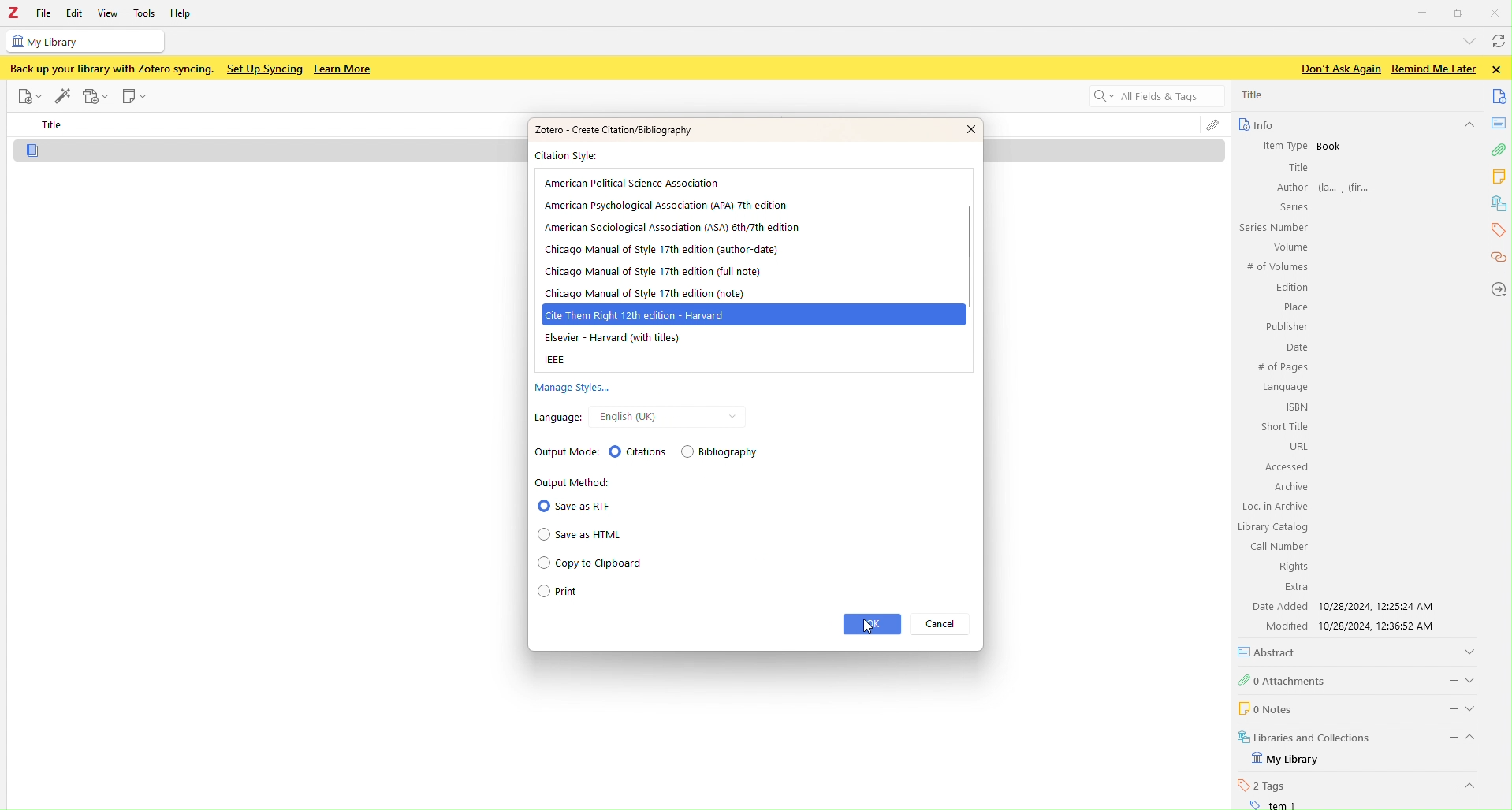 This screenshot has height=810, width=1512. Describe the element at coordinates (625, 417) in the screenshot. I see `English (UK)` at that location.